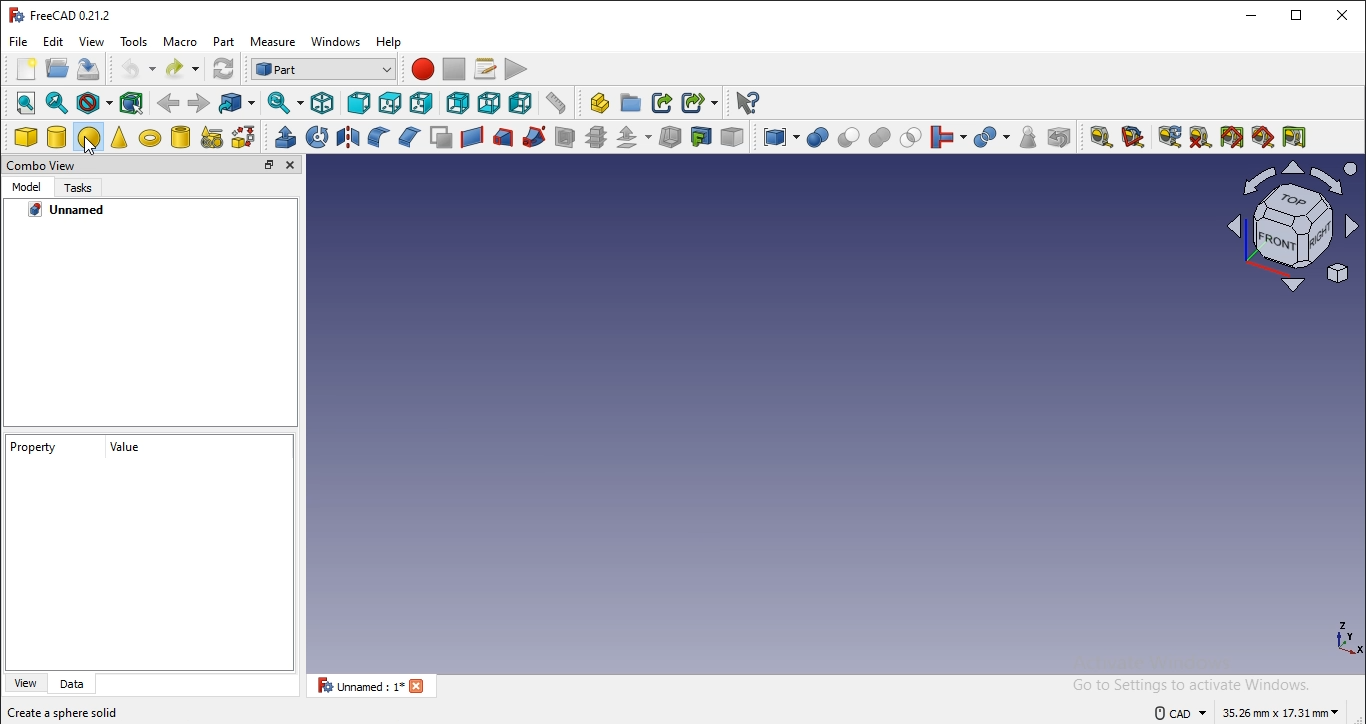 Image resolution: width=1366 pixels, height=724 pixels. I want to click on part, so click(226, 41).